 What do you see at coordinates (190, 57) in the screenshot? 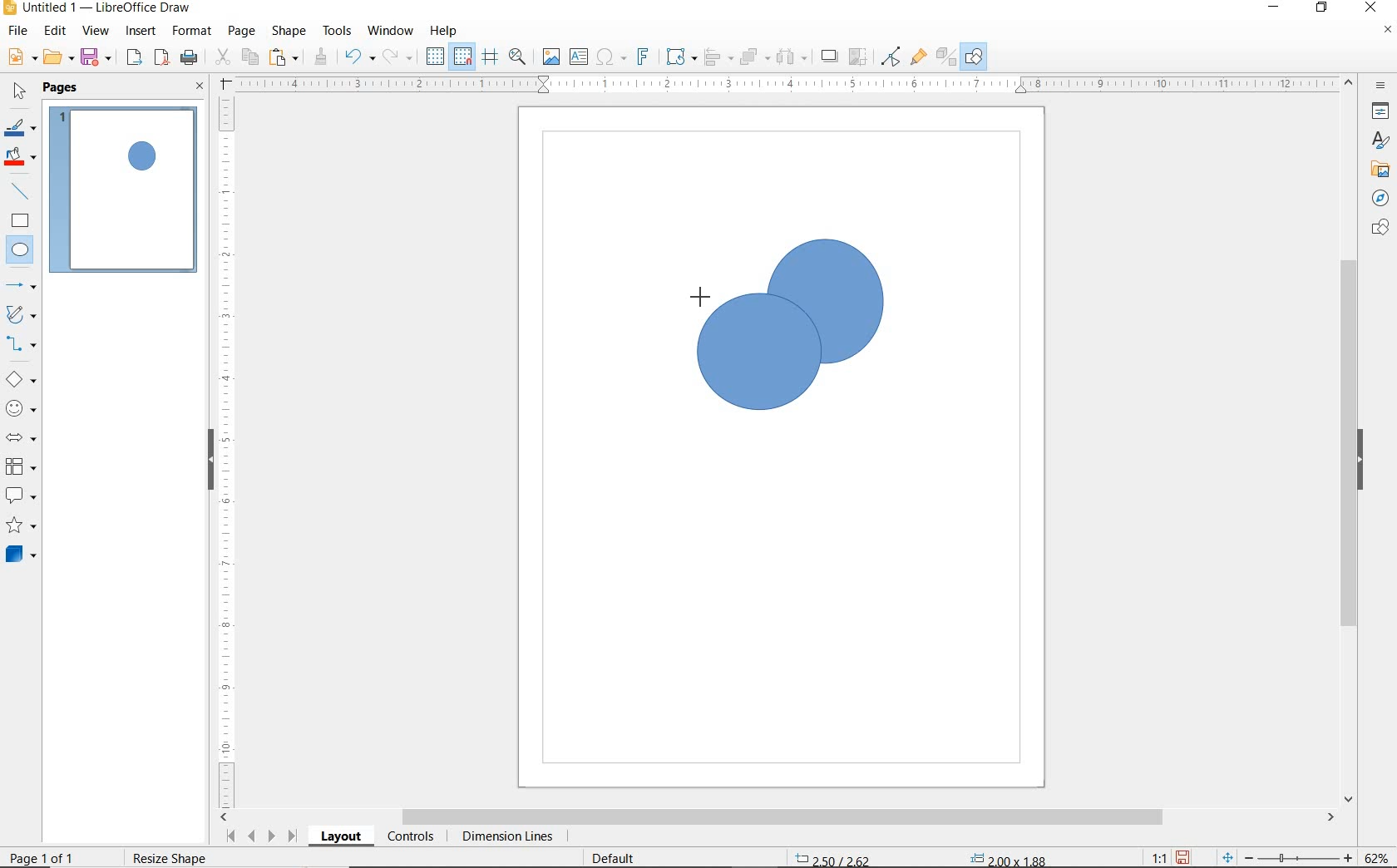
I see `PRINT` at bounding box center [190, 57].